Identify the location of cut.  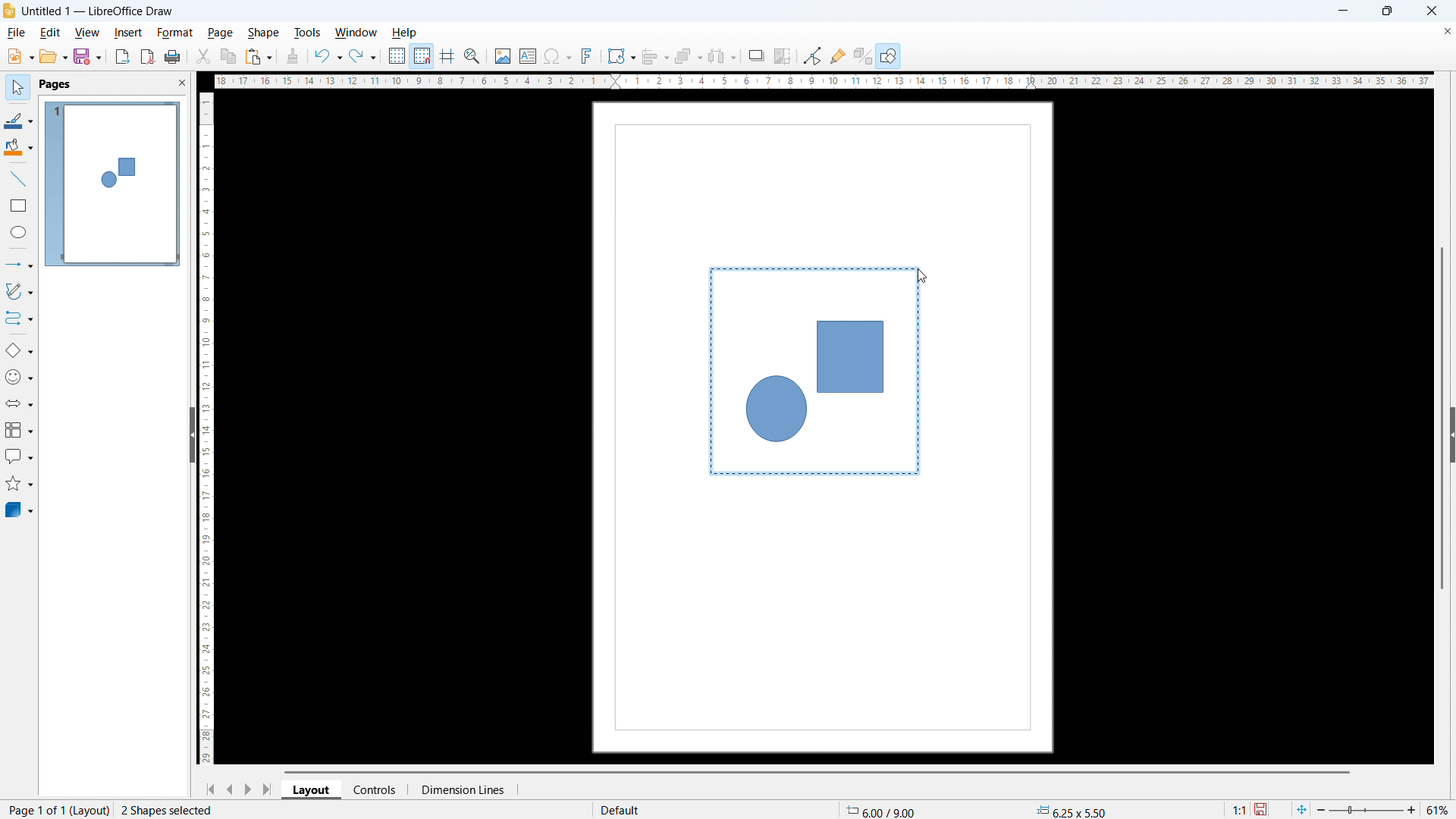
(204, 57).